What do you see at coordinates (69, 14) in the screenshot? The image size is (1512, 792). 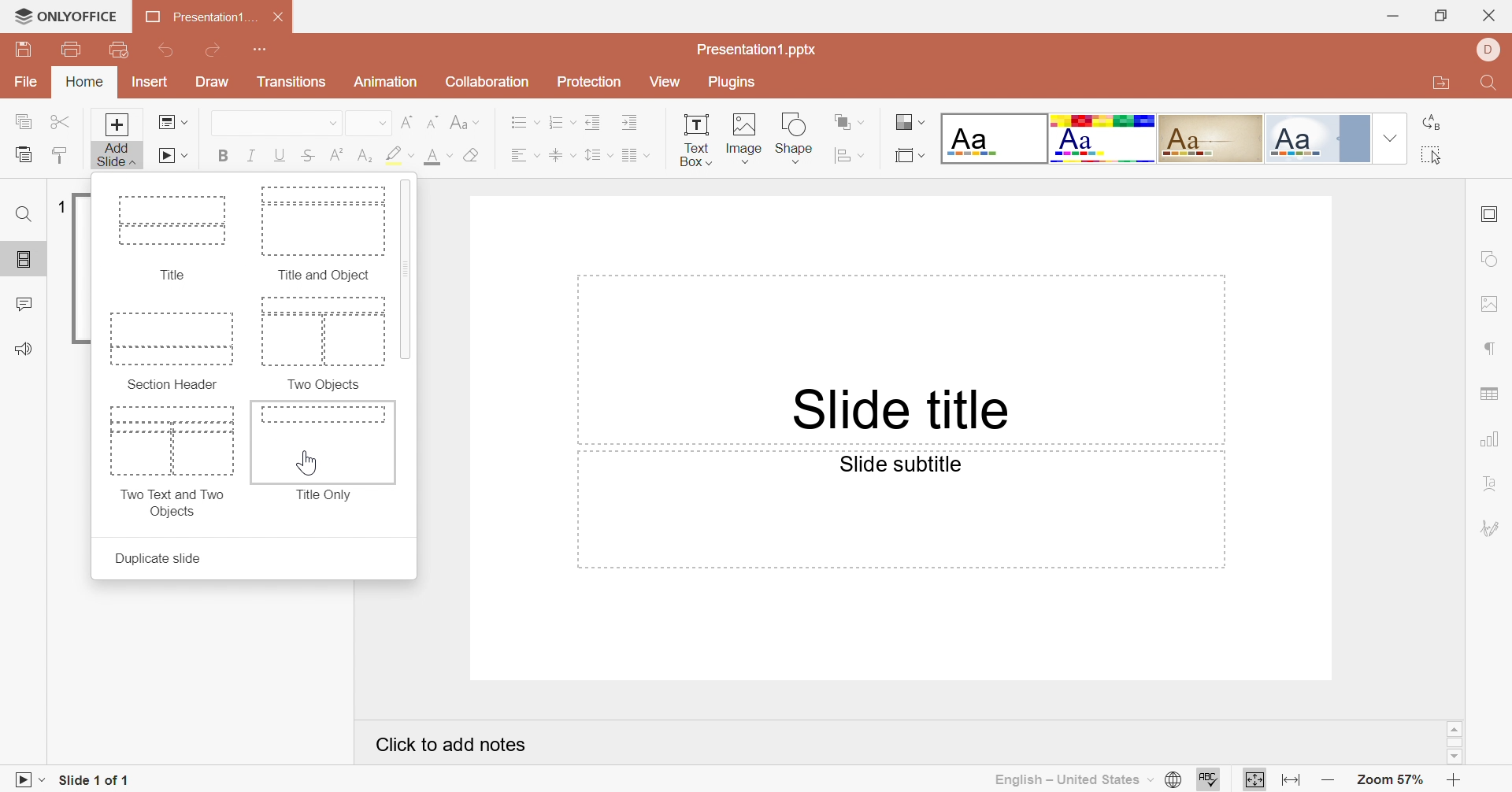 I see `ONLYOFFICE` at bounding box center [69, 14].